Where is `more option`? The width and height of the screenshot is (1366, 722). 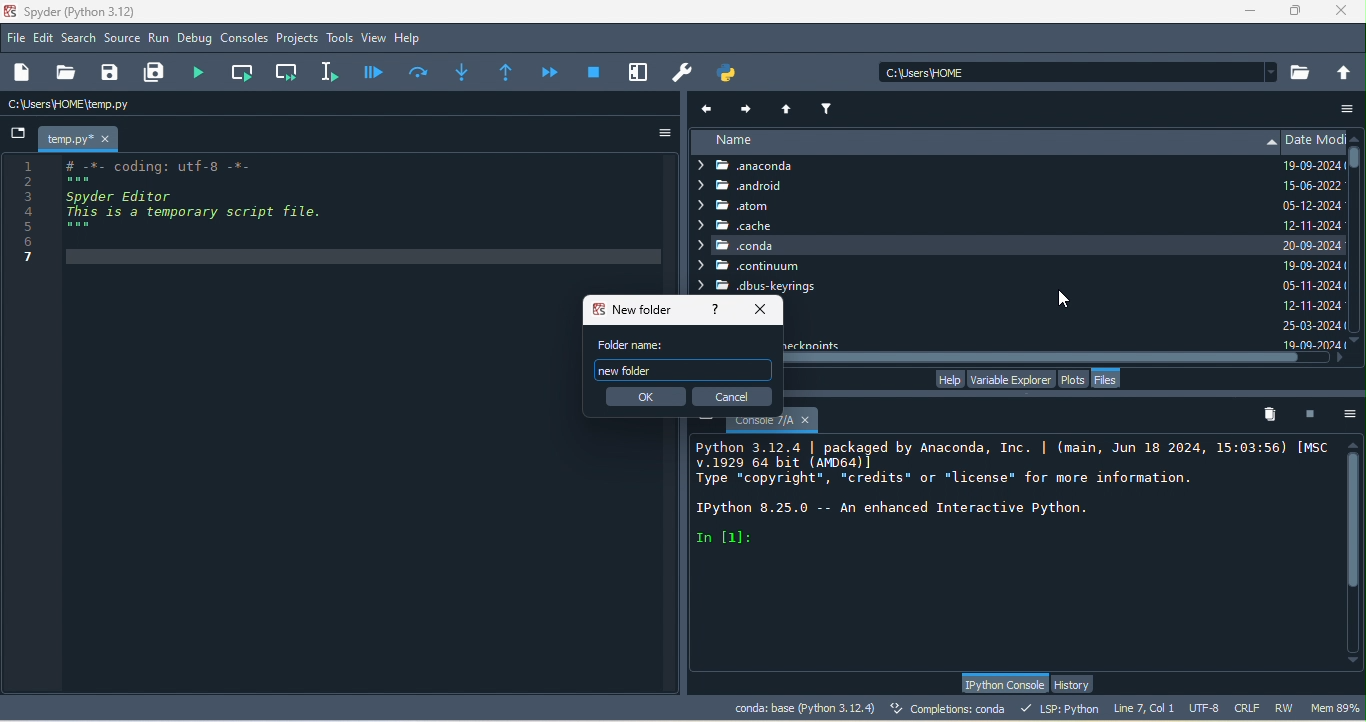 more option is located at coordinates (1349, 108).